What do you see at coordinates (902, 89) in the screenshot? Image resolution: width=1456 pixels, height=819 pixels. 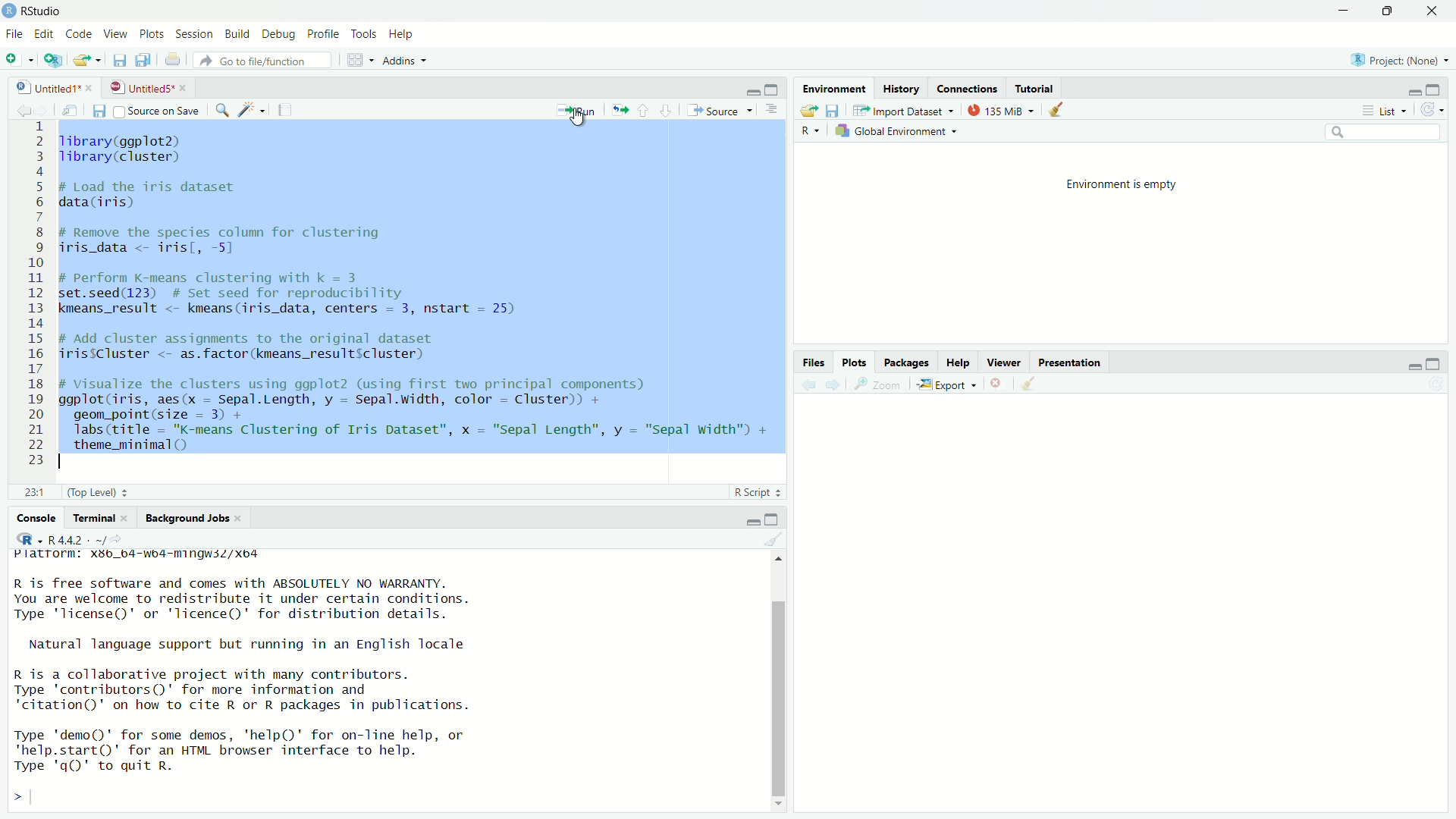 I see `History` at bounding box center [902, 89].